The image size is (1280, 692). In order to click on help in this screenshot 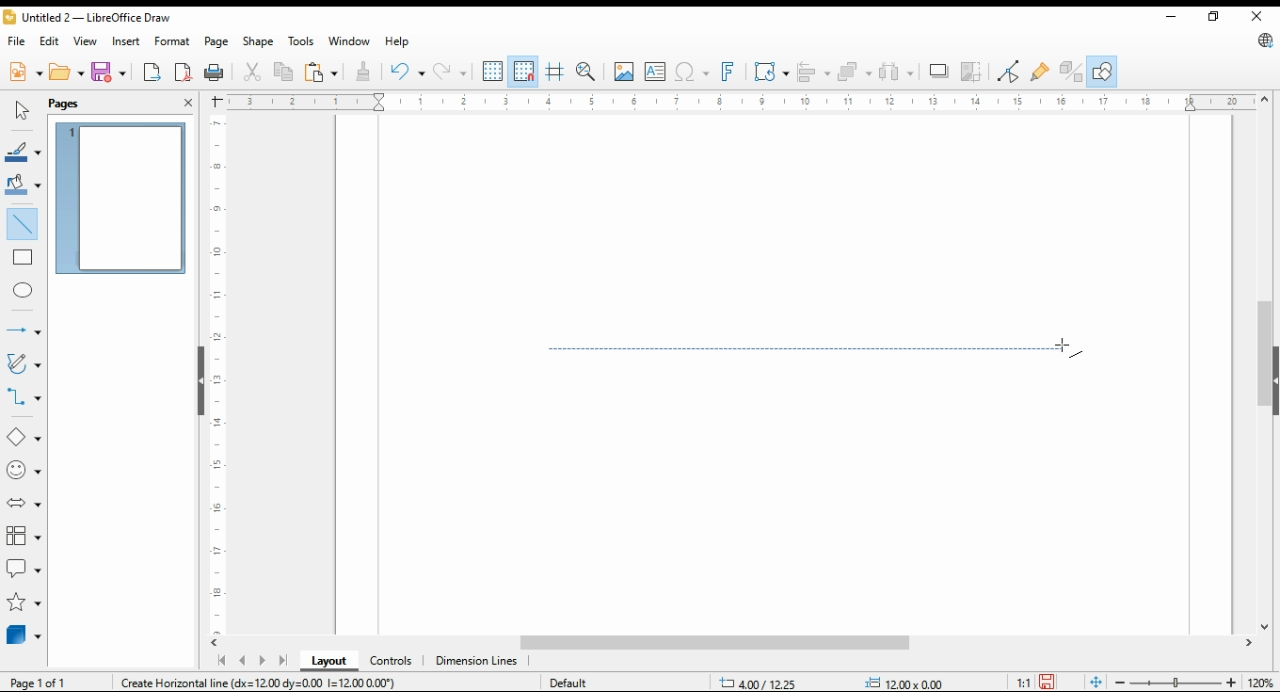, I will do `click(397, 41)`.